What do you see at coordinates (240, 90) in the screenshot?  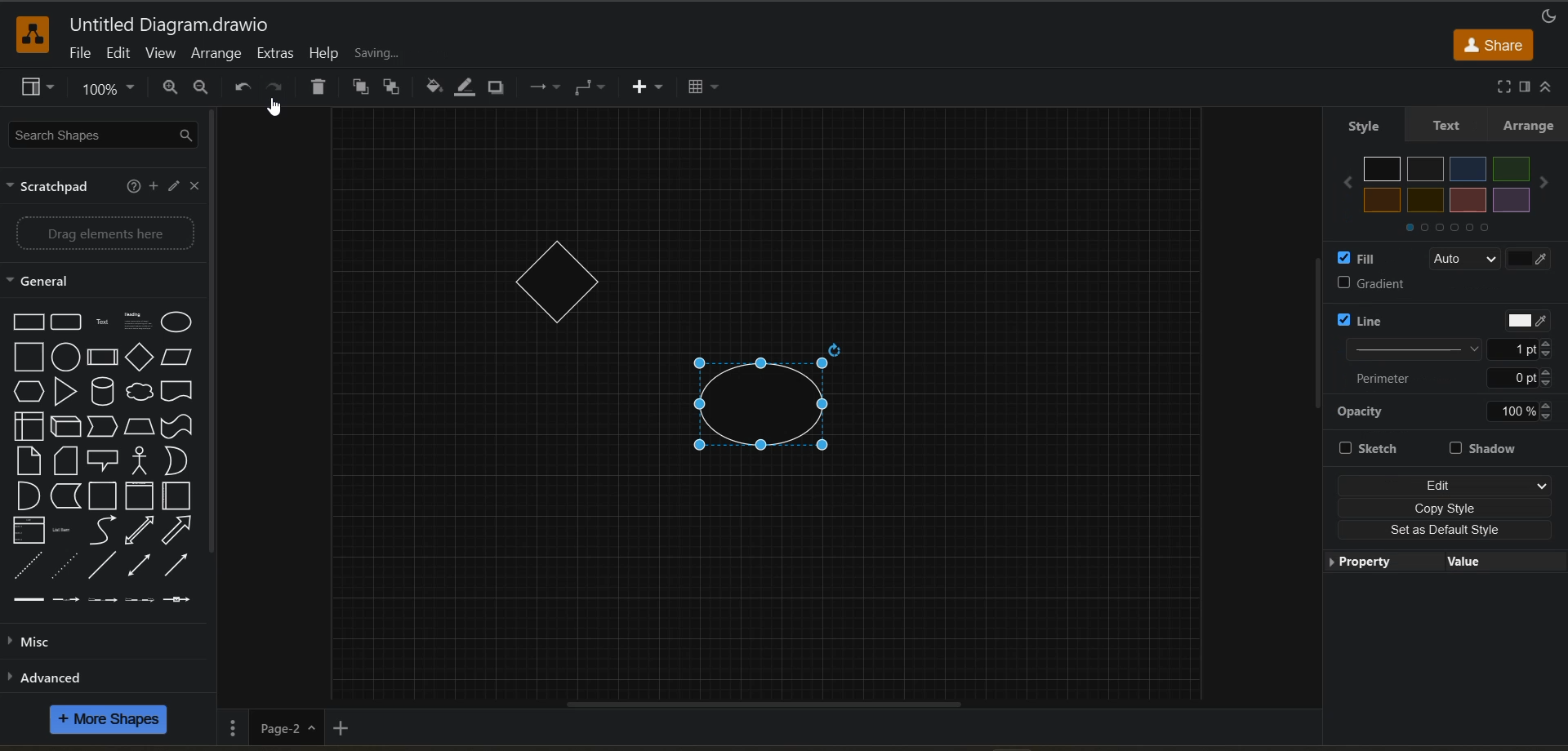 I see `undo` at bounding box center [240, 90].